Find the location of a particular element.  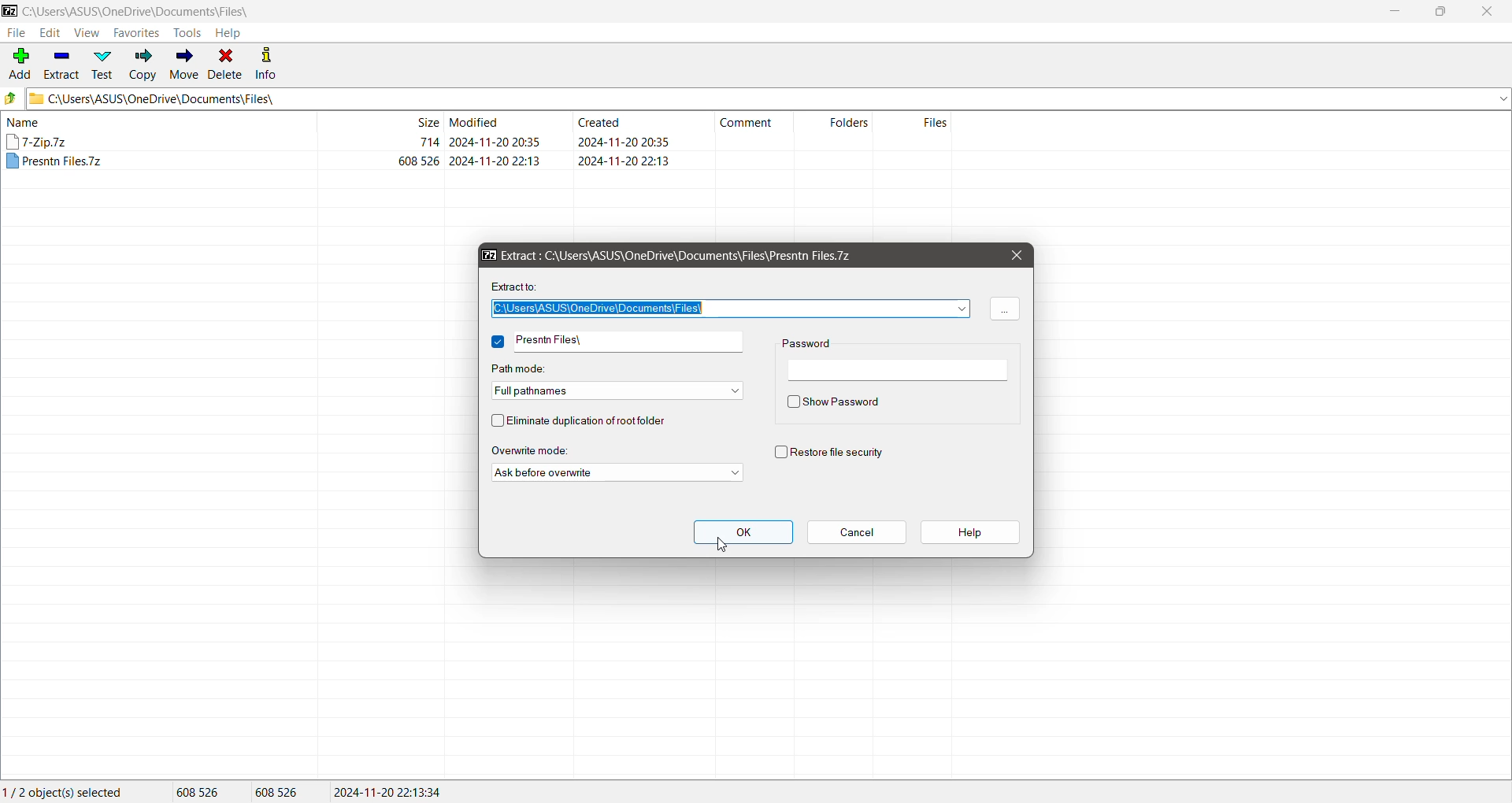

files is located at coordinates (936, 122).